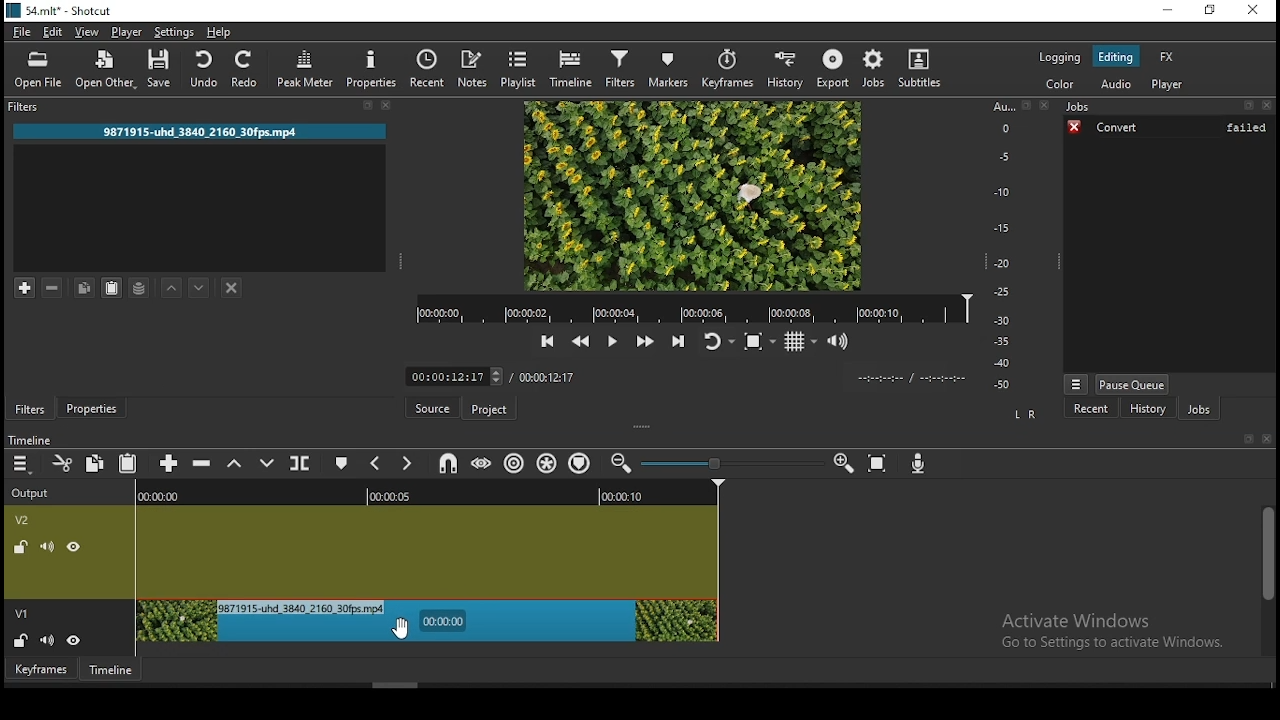 Image resolution: width=1280 pixels, height=720 pixels. Describe the element at coordinates (199, 288) in the screenshot. I see `move filter down` at that location.